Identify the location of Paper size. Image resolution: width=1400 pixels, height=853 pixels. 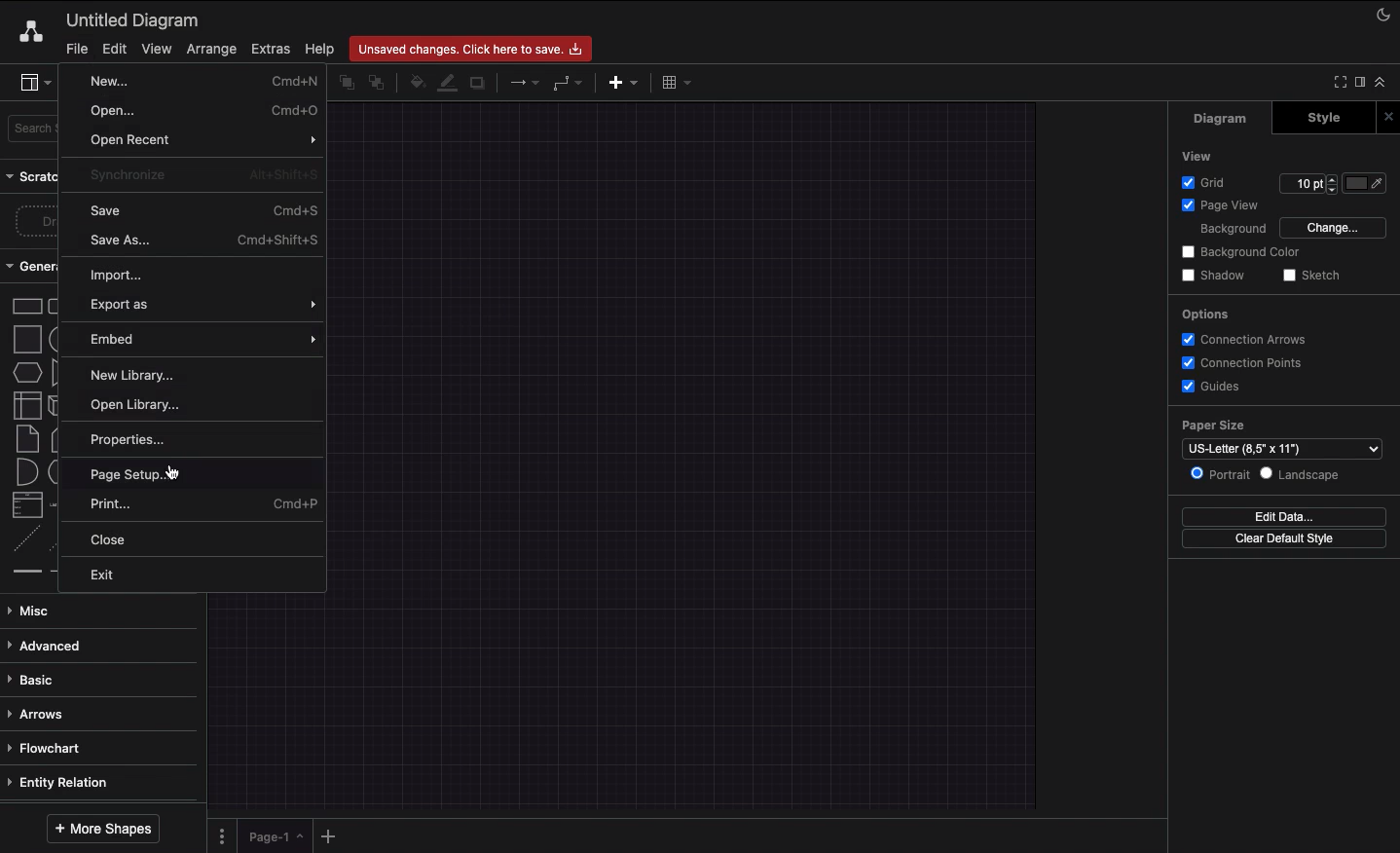
(1280, 426).